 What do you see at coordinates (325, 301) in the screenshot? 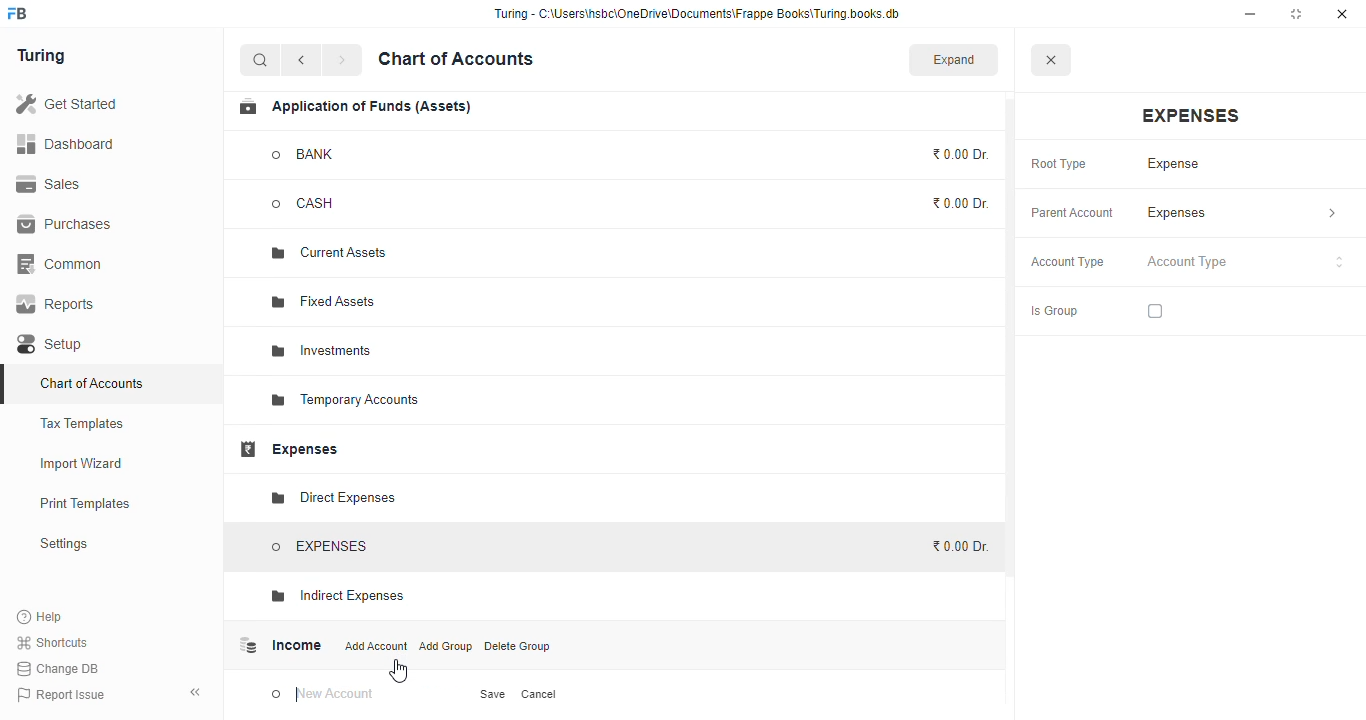
I see `fixed assets` at bounding box center [325, 301].